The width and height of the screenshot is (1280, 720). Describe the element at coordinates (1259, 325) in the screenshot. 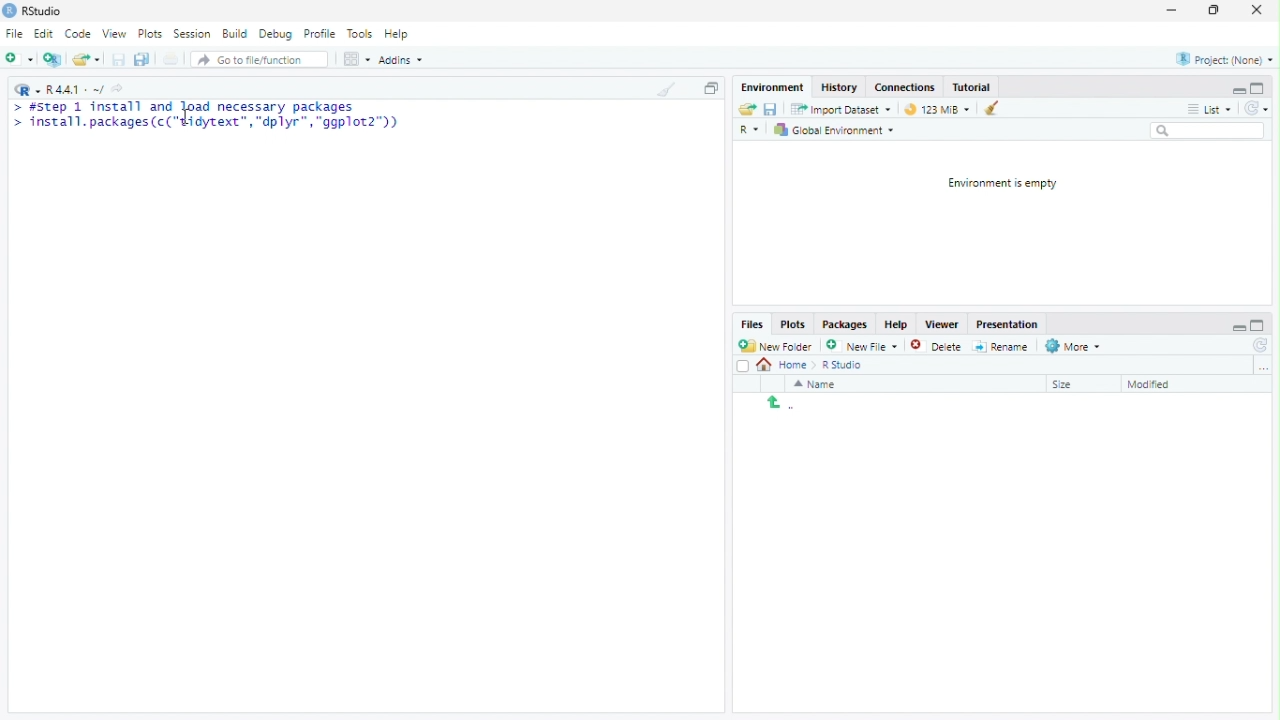

I see `Maximize` at that location.